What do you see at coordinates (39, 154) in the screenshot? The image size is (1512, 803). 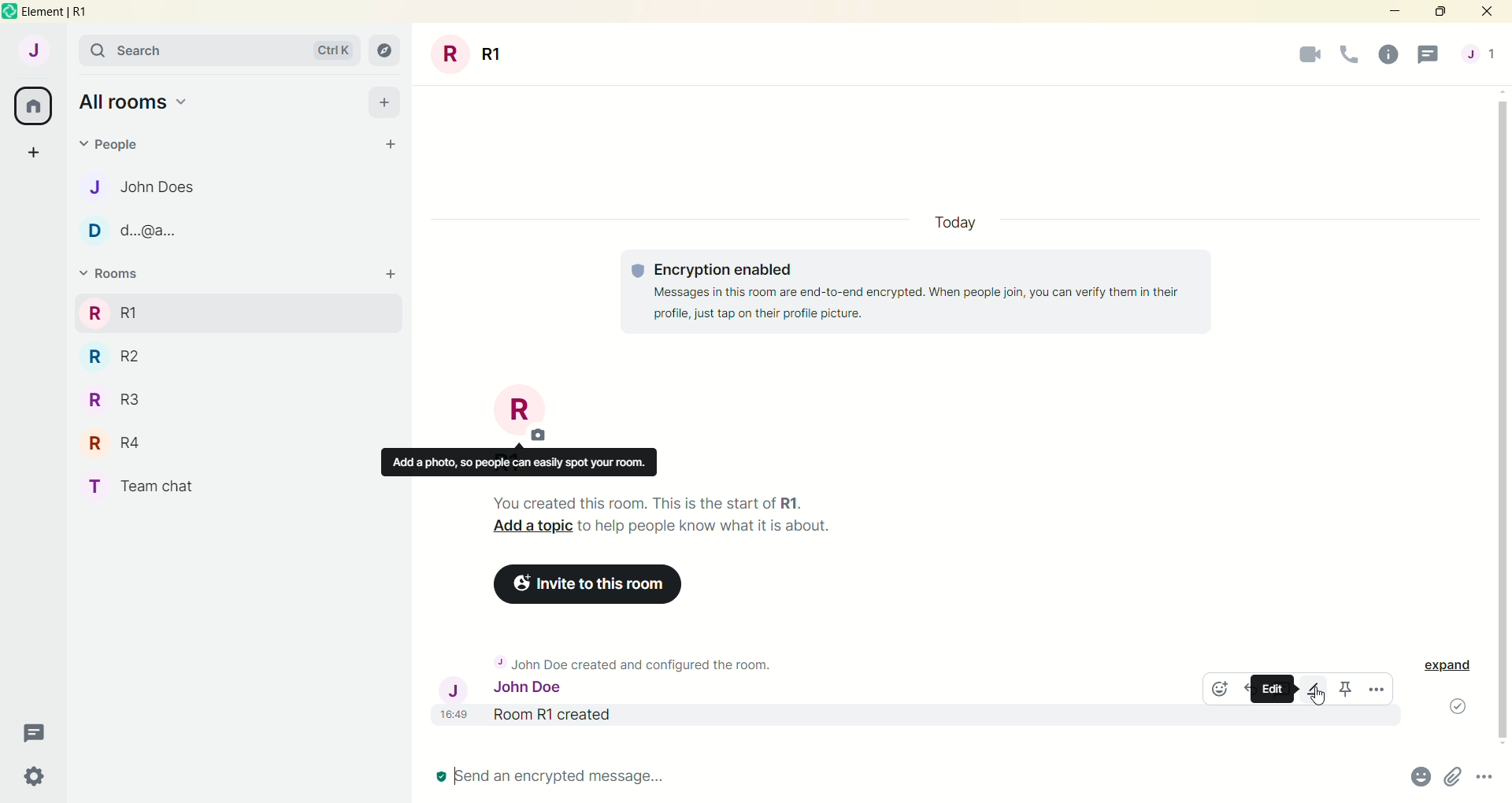 I see `create a space` at bounding box center [39, 154].